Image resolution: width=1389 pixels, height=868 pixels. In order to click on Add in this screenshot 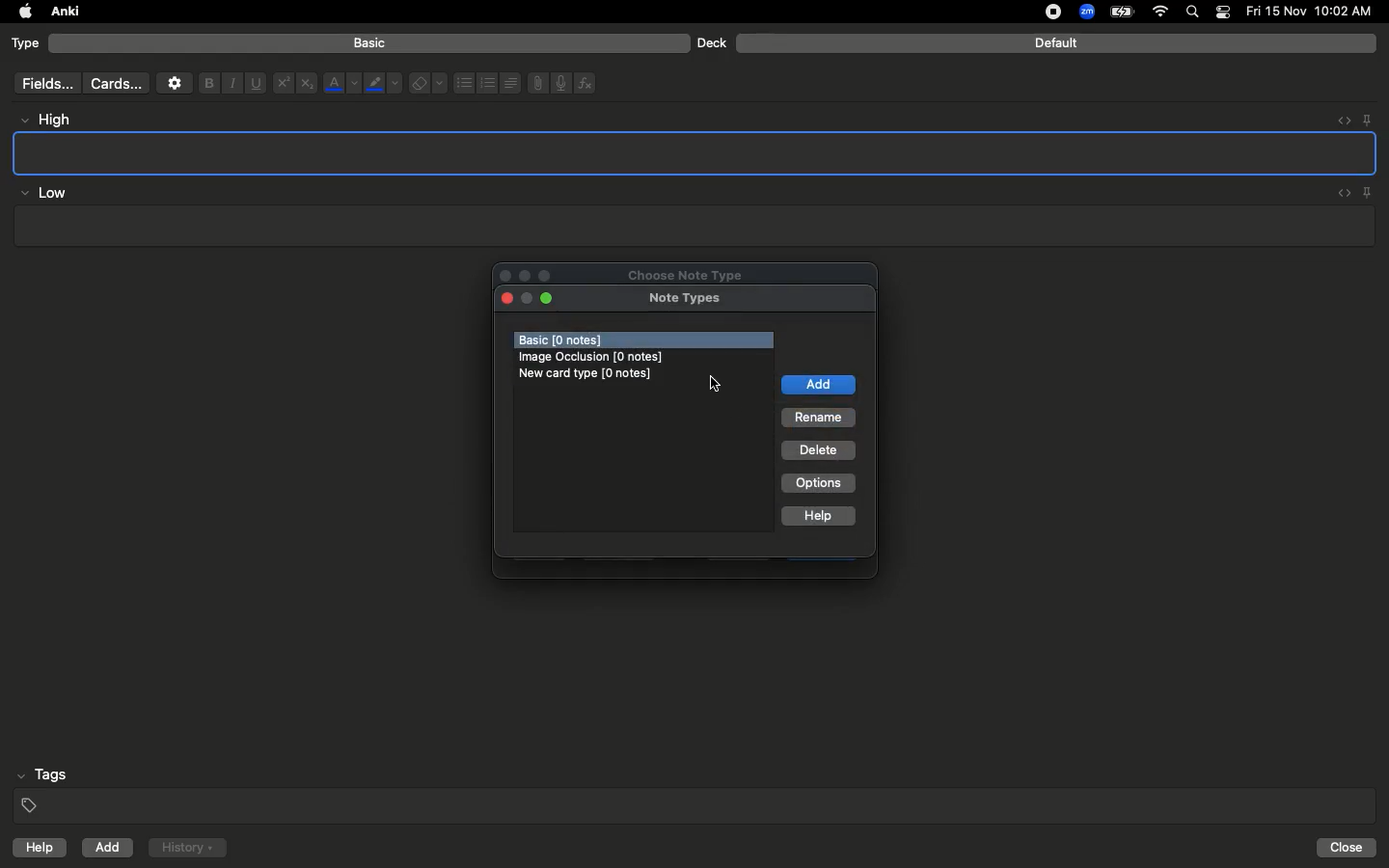, I will do `click(109, 848)`.